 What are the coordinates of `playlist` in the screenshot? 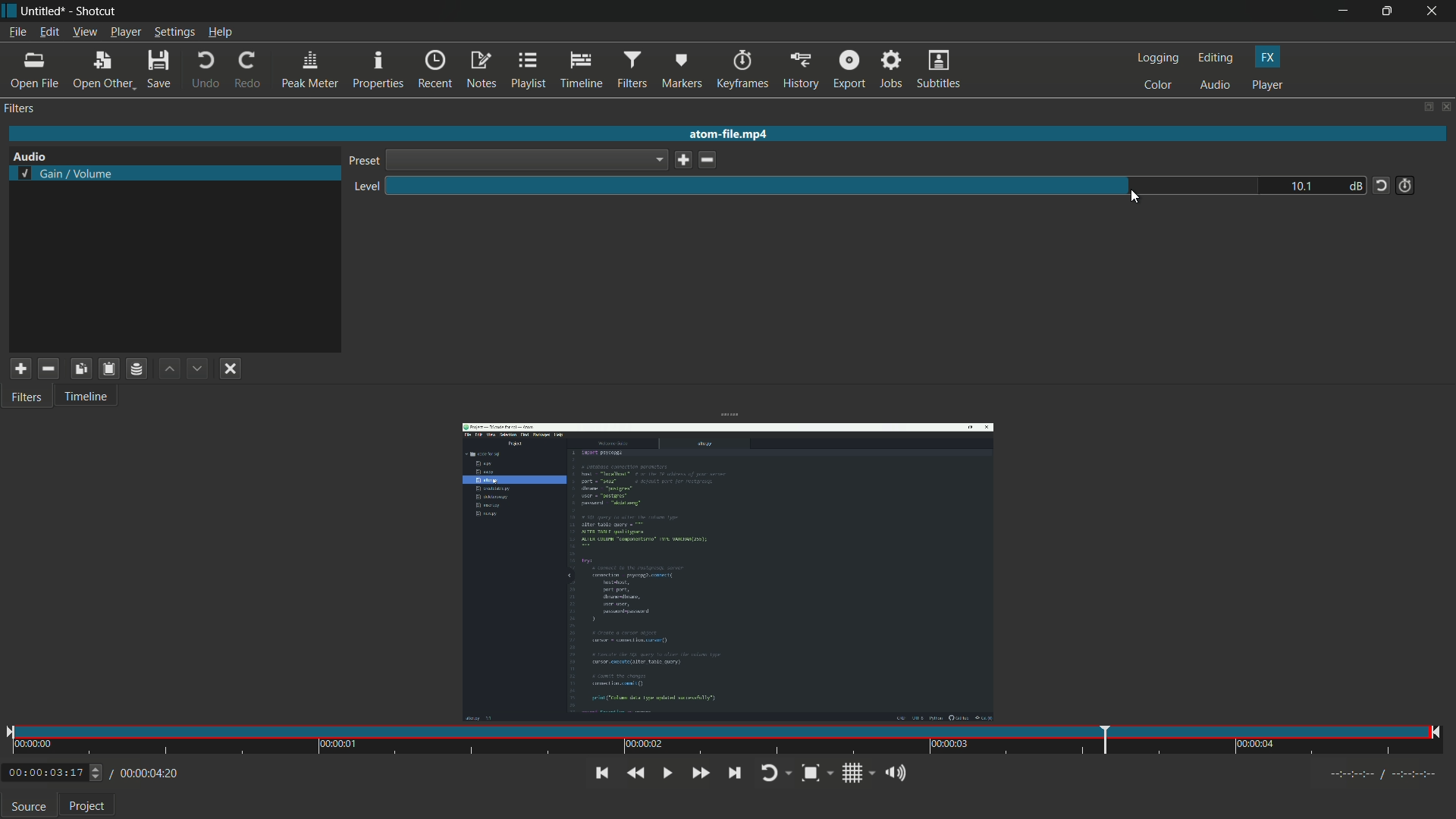 It's located at (529, 70).